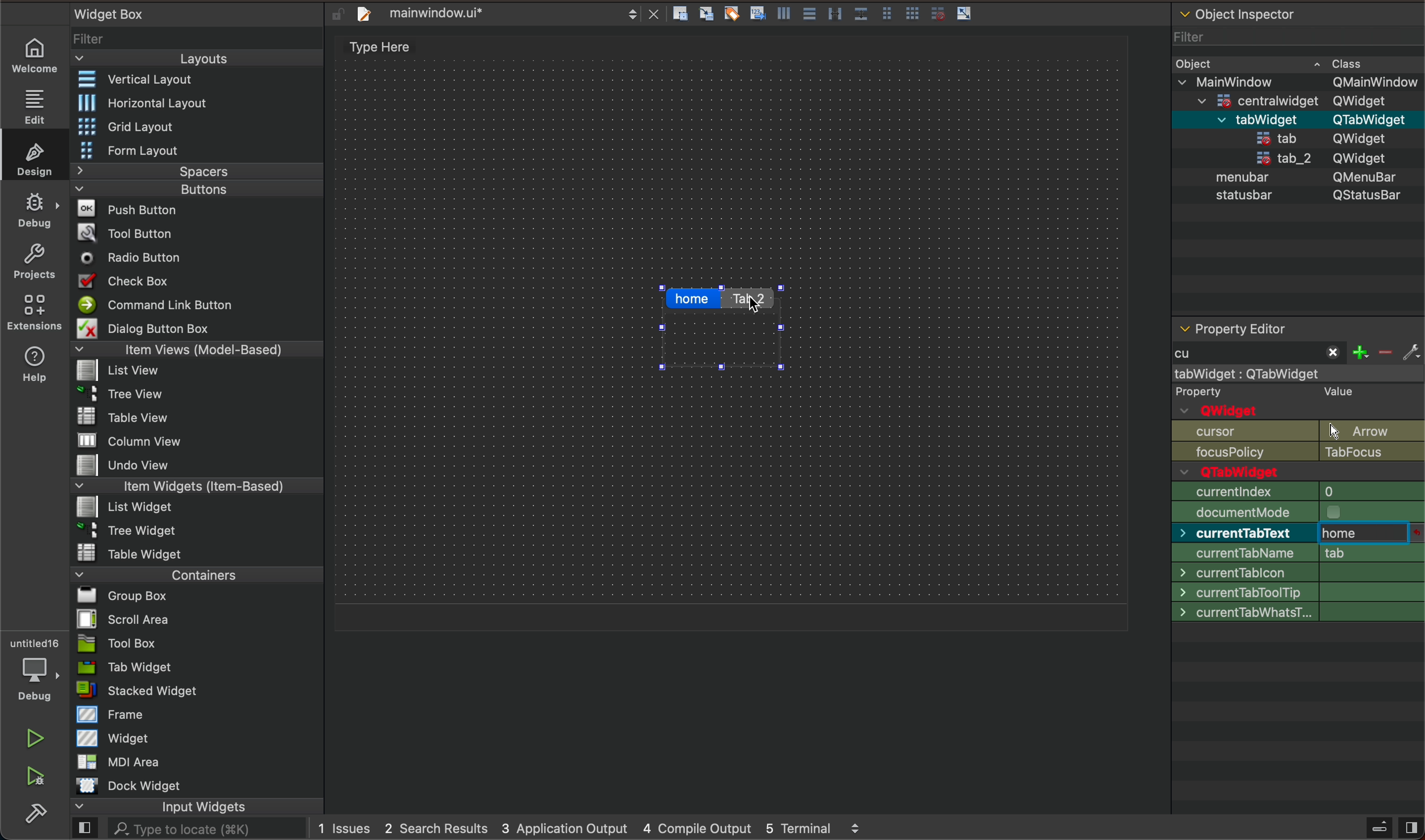 Image resolution: width=1425 pixels, height=840 pixels. I want to click on help, so click(37, 362).